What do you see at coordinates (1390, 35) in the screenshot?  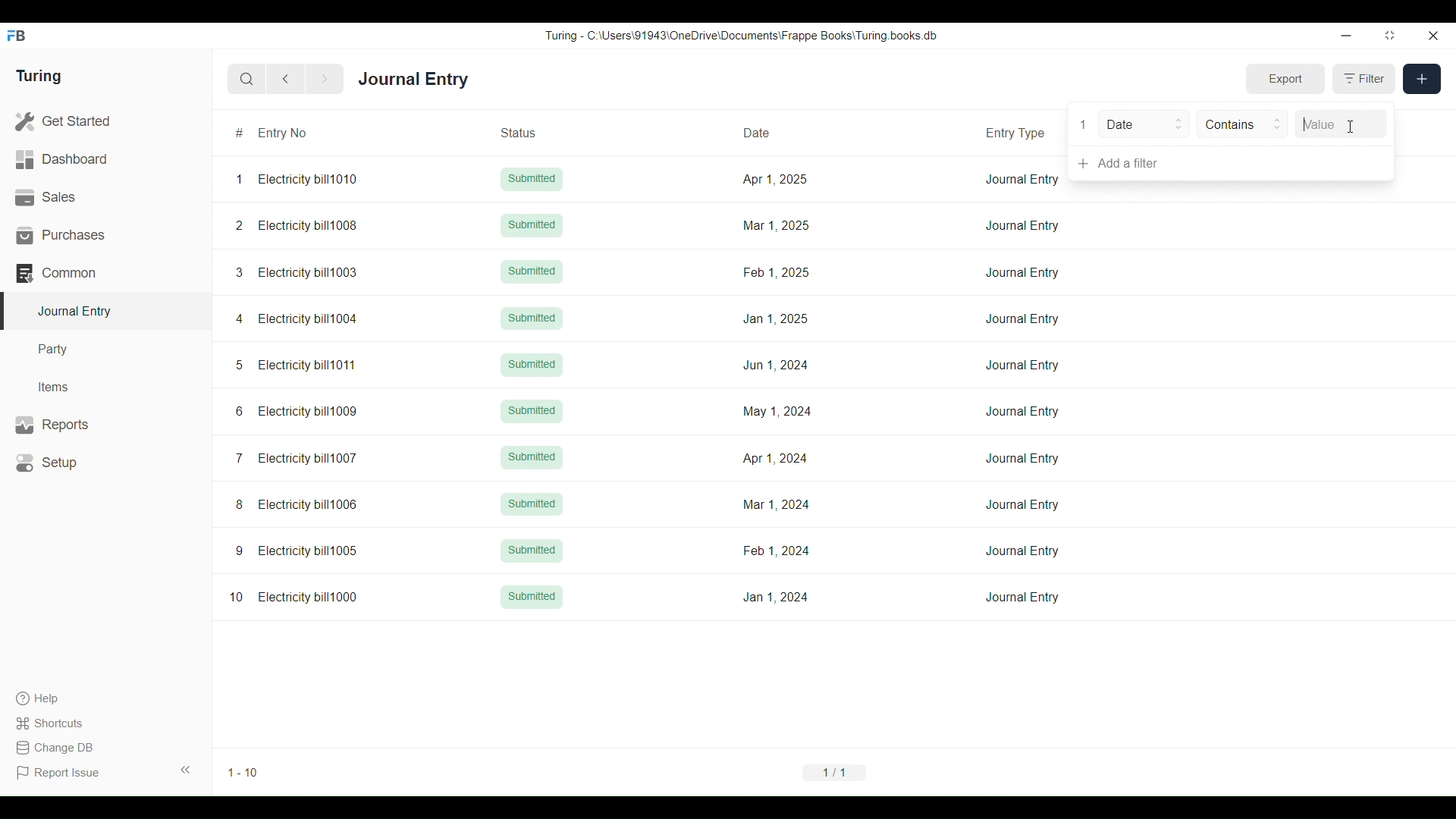 I see `Change dimension` at bounding box center [1390, 35].